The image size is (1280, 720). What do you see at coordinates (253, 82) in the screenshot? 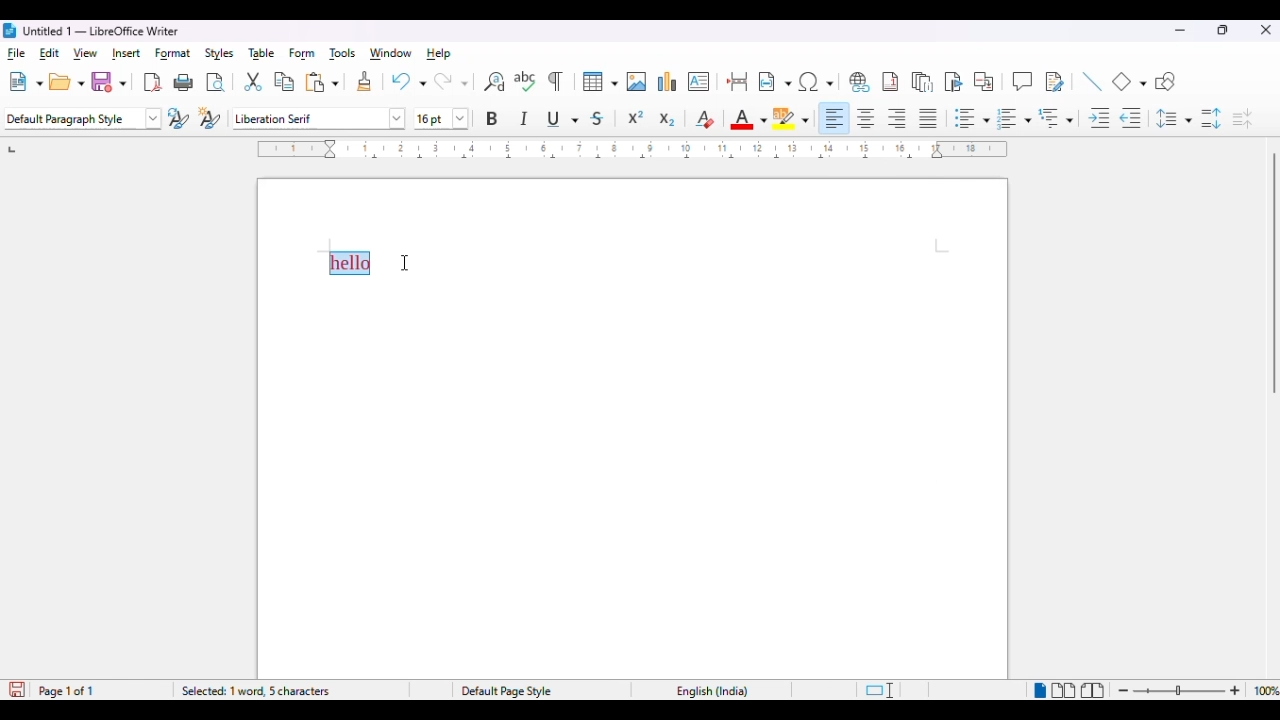
I see `cut` at bounding box center [253, 82].